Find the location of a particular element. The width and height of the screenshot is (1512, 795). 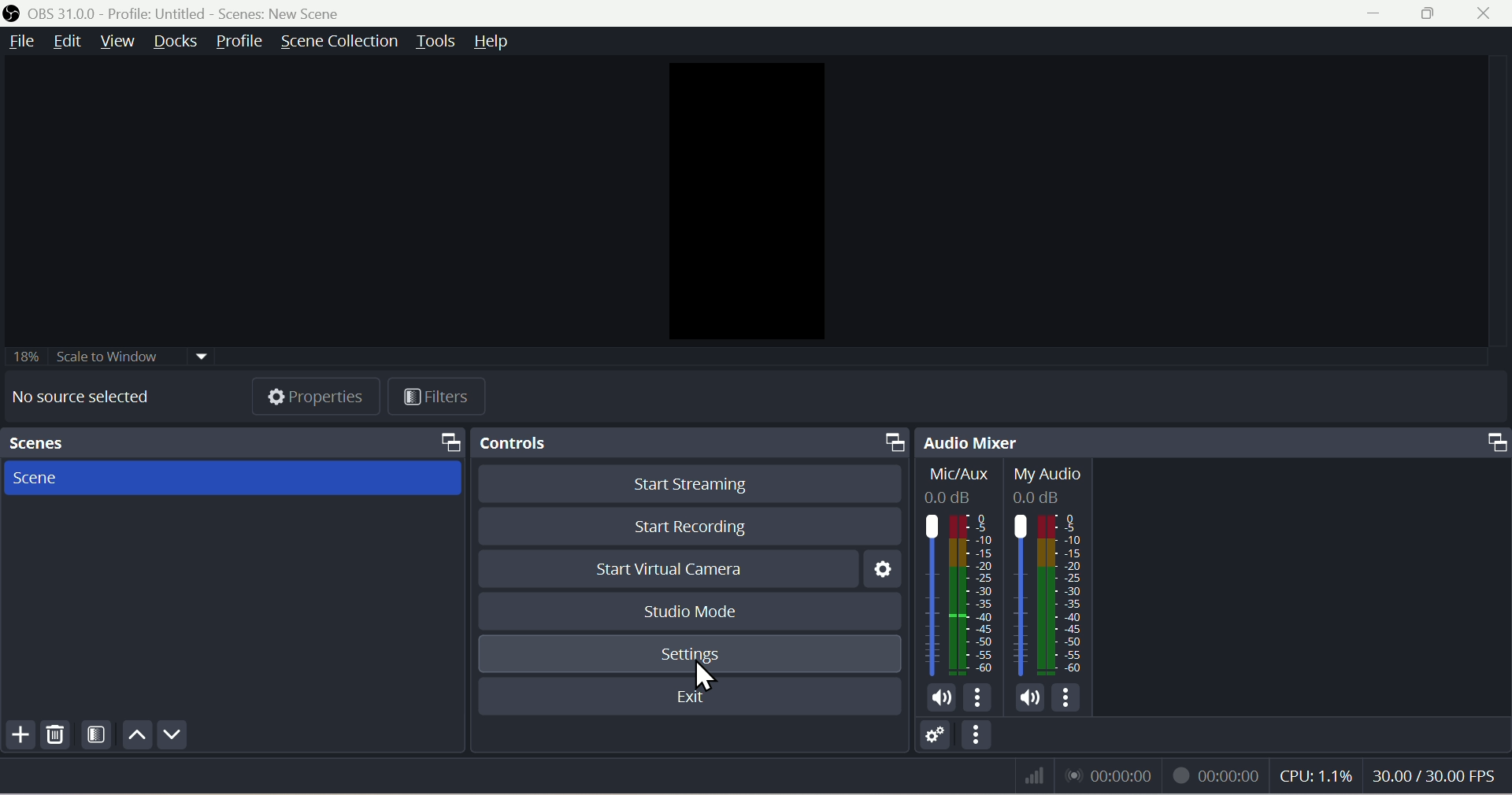

Volume is located at coordinates (1029, 698).